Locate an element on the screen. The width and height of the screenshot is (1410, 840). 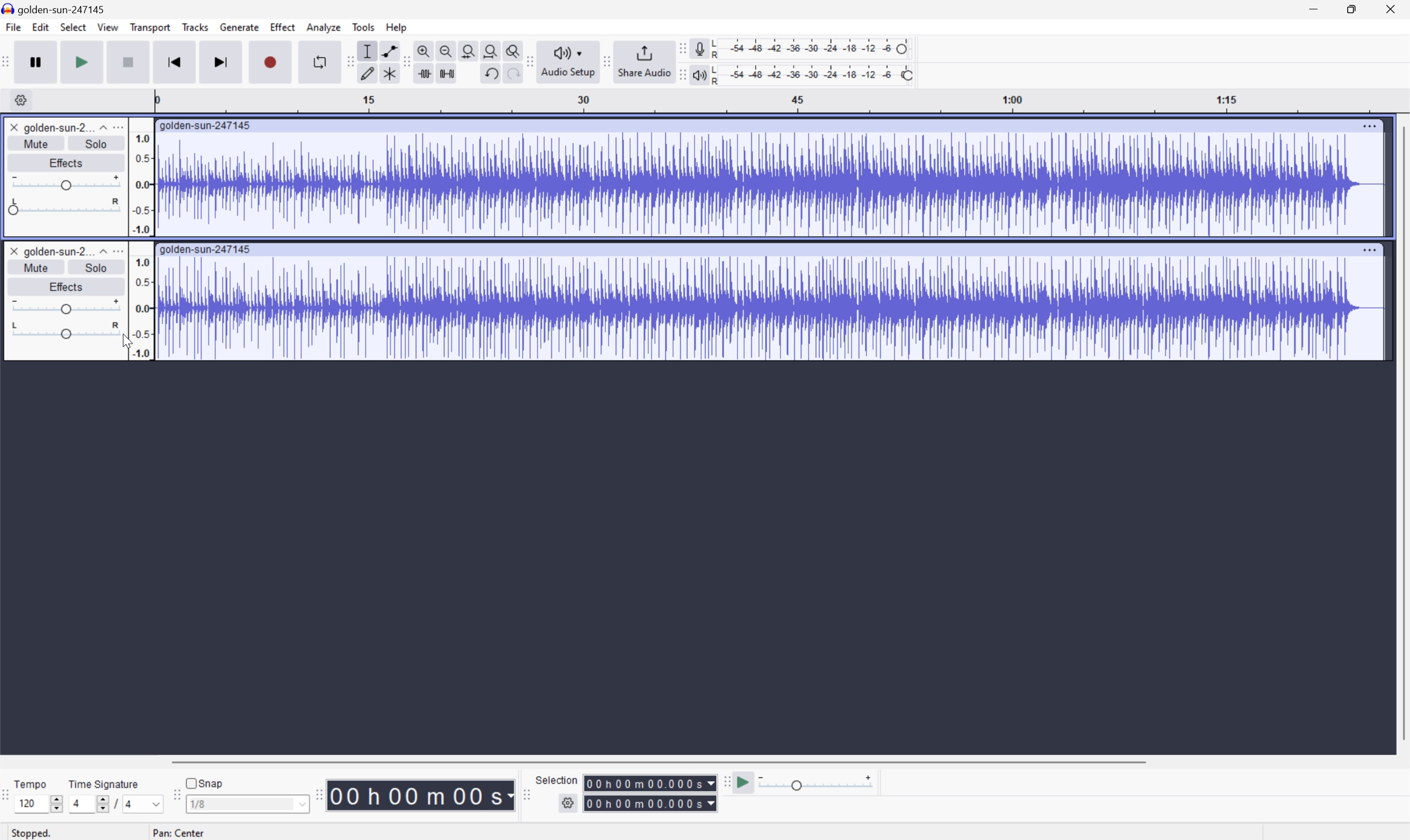
Audacity Edit toolbar is located at coordinates (405, 61).